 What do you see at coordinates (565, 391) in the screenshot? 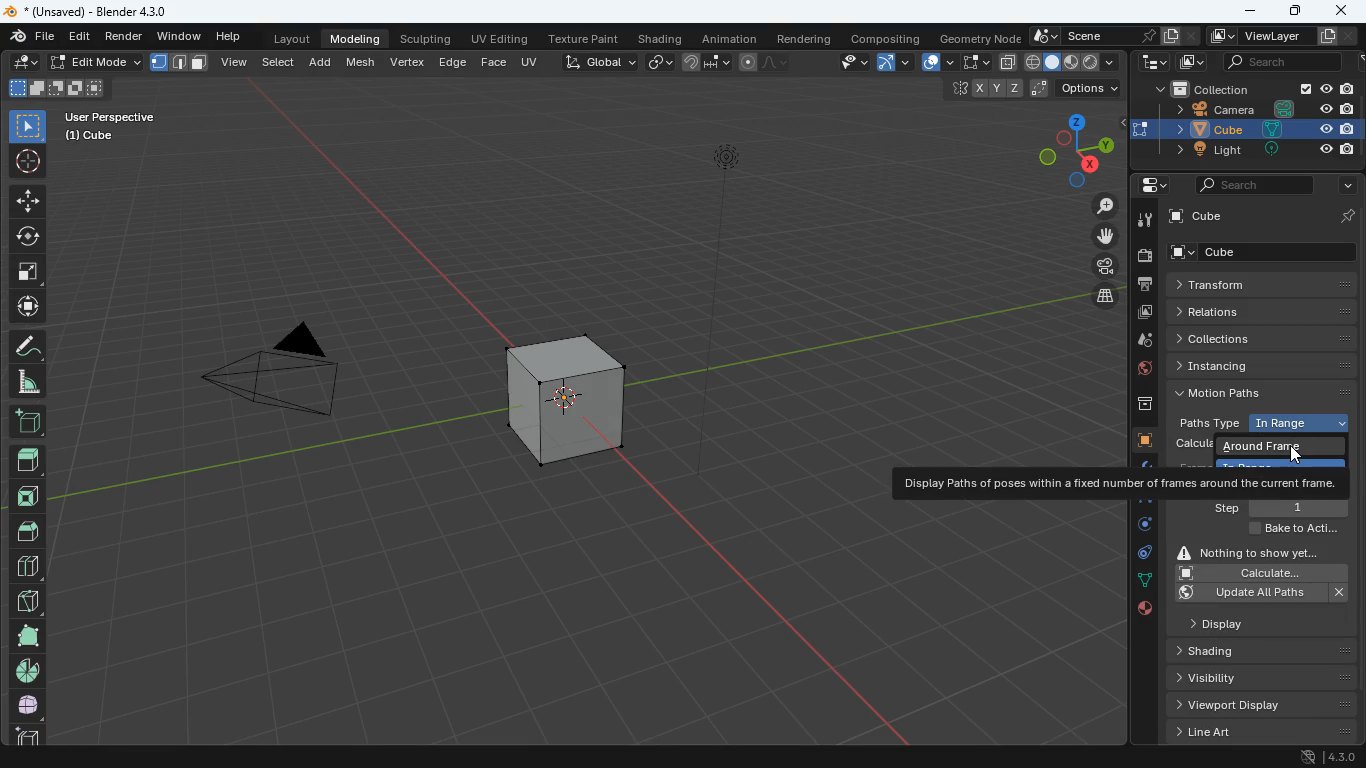
I see `cube` at bounding box center [565, 391].